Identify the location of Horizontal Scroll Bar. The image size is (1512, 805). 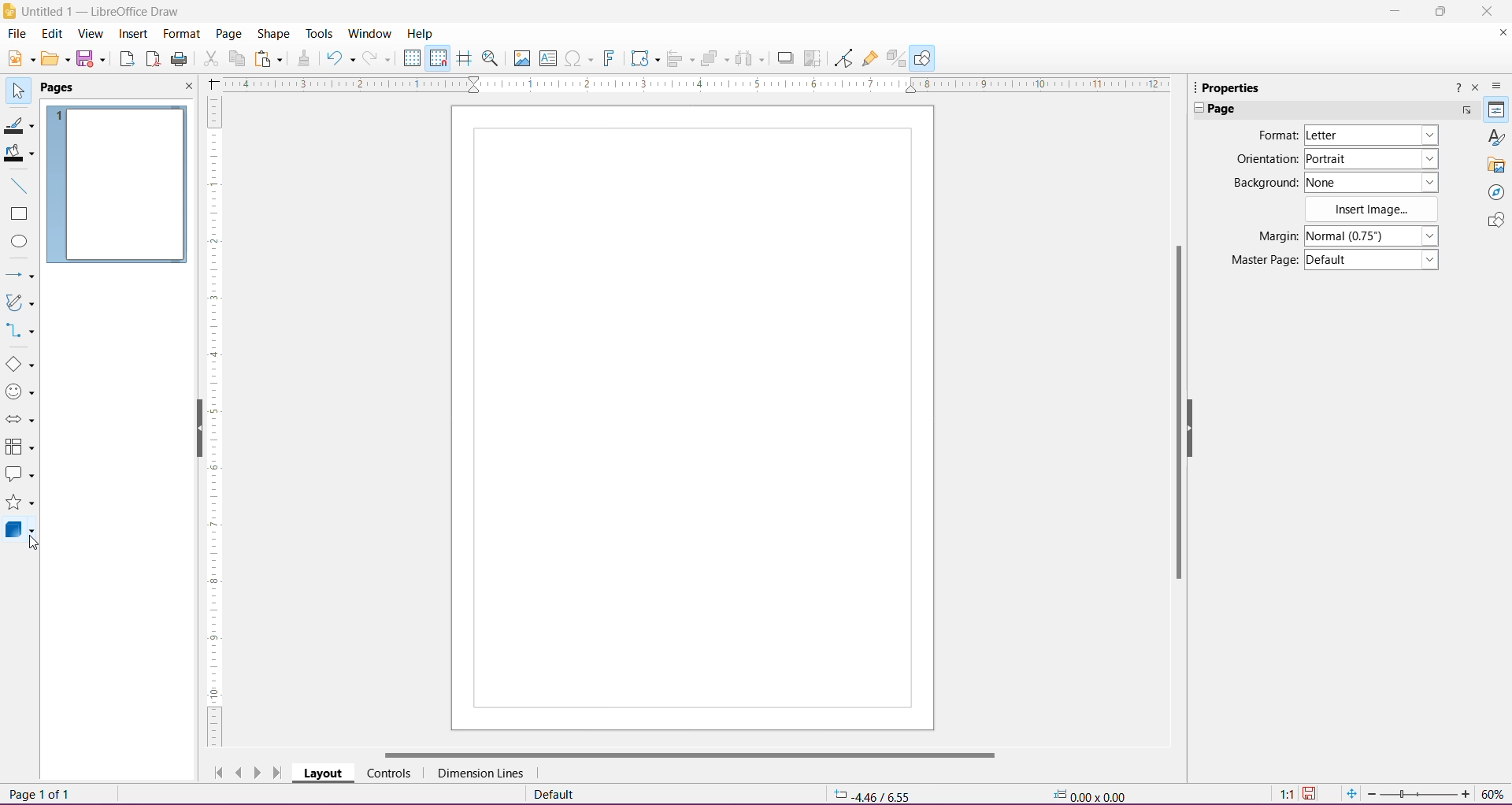
(687, 755).